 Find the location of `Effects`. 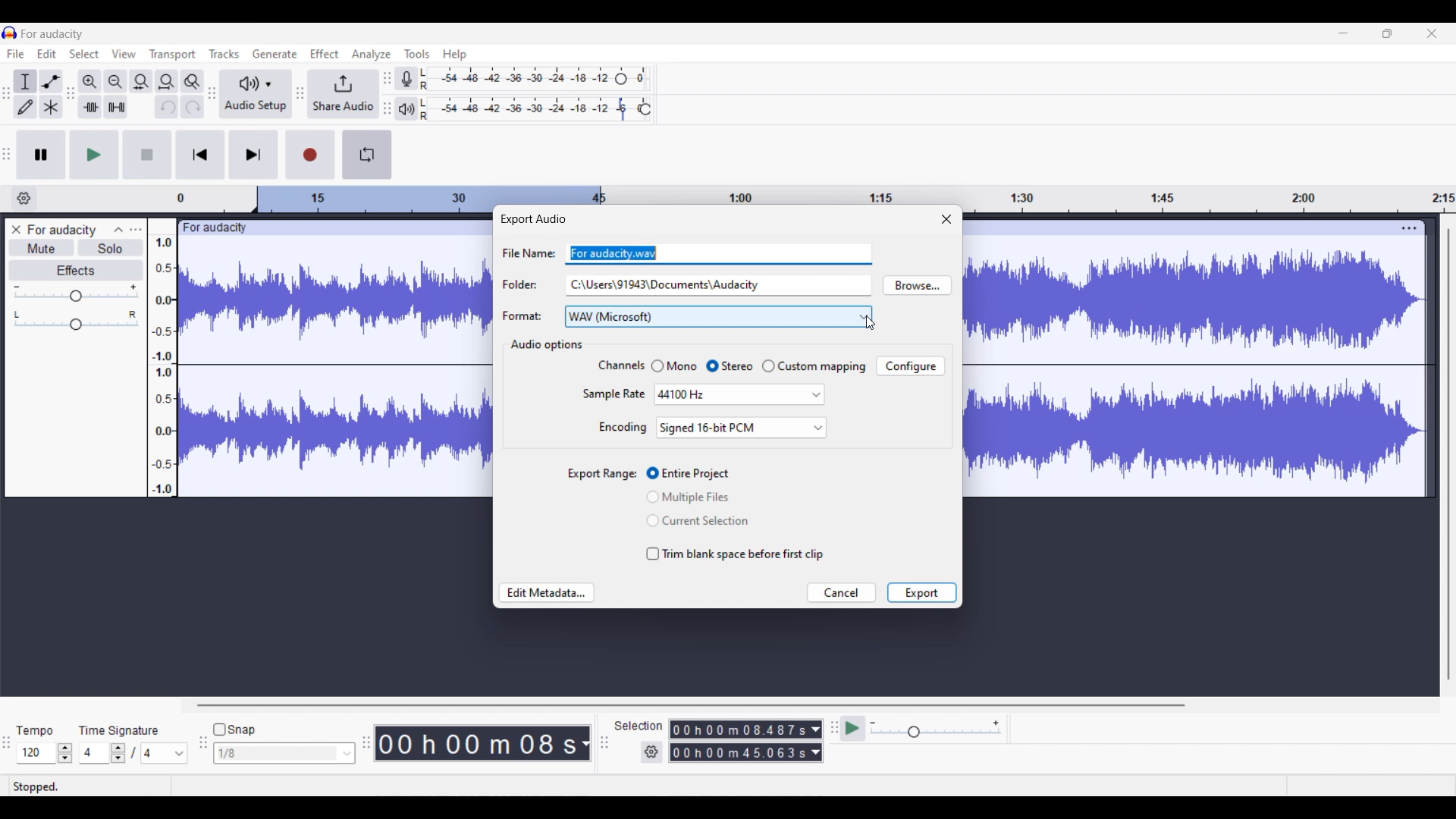

Effects is located at coordinates (77, 271).